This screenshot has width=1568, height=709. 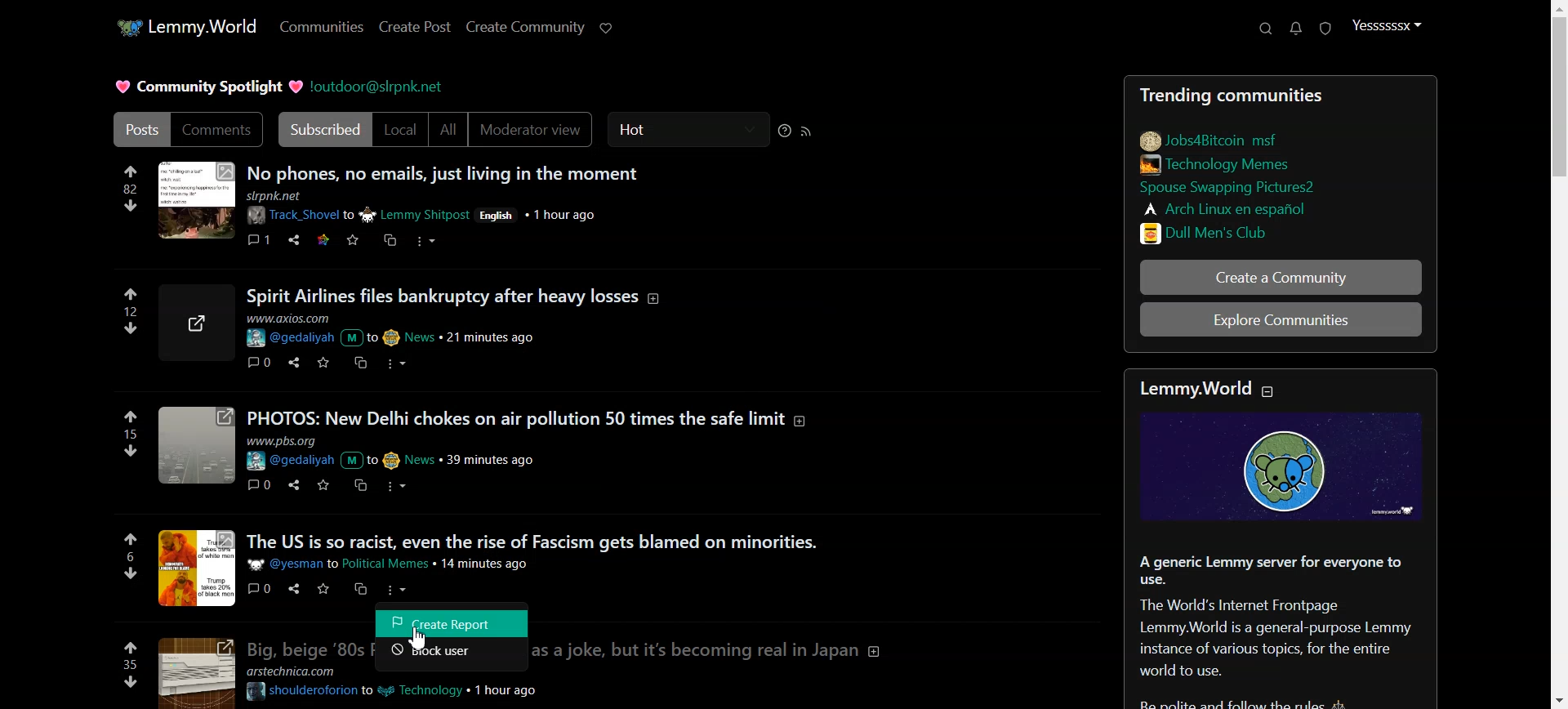 I want to click on Text, so click(x=205, y=87).